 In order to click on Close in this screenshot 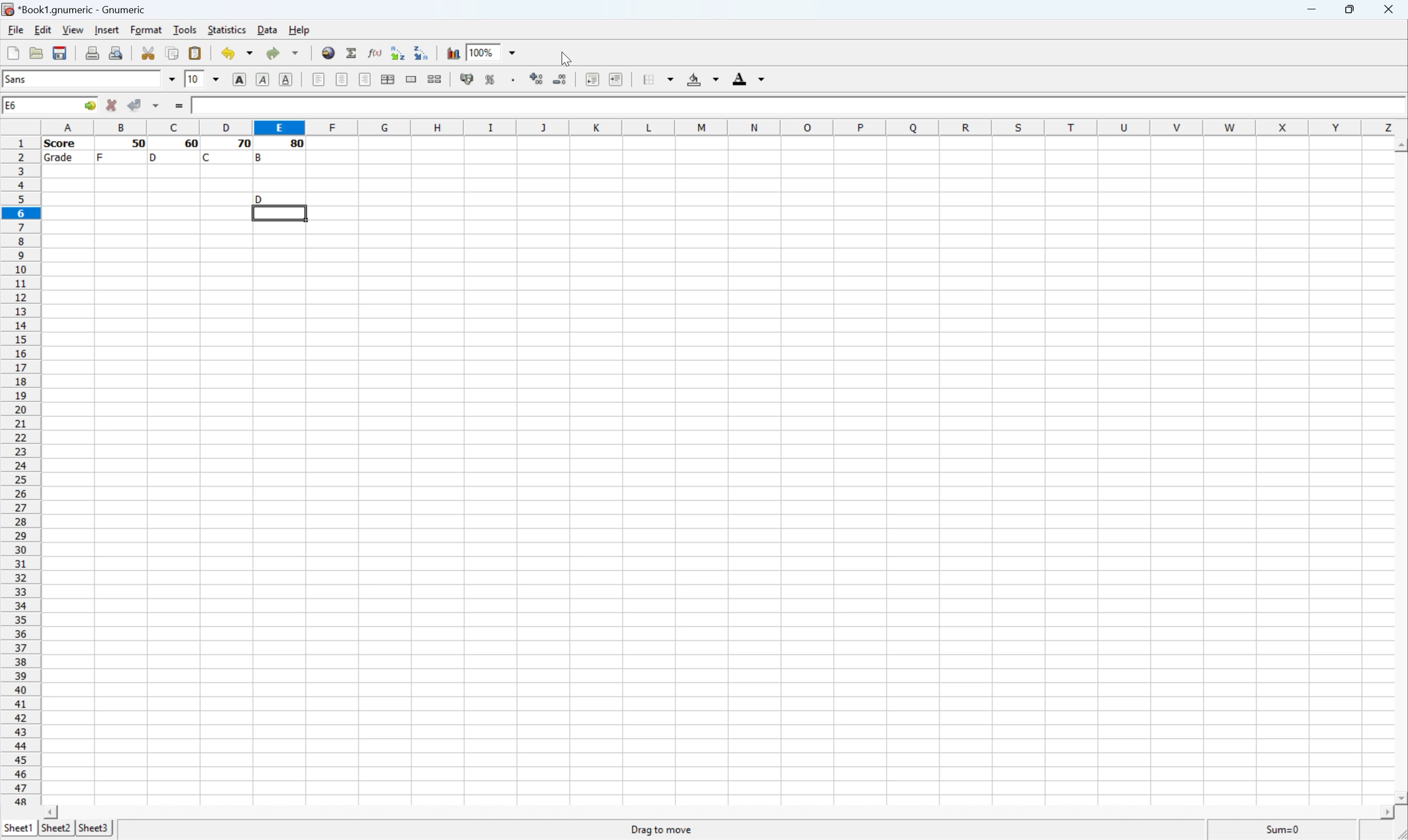, I will do `click(1390, 10)`.